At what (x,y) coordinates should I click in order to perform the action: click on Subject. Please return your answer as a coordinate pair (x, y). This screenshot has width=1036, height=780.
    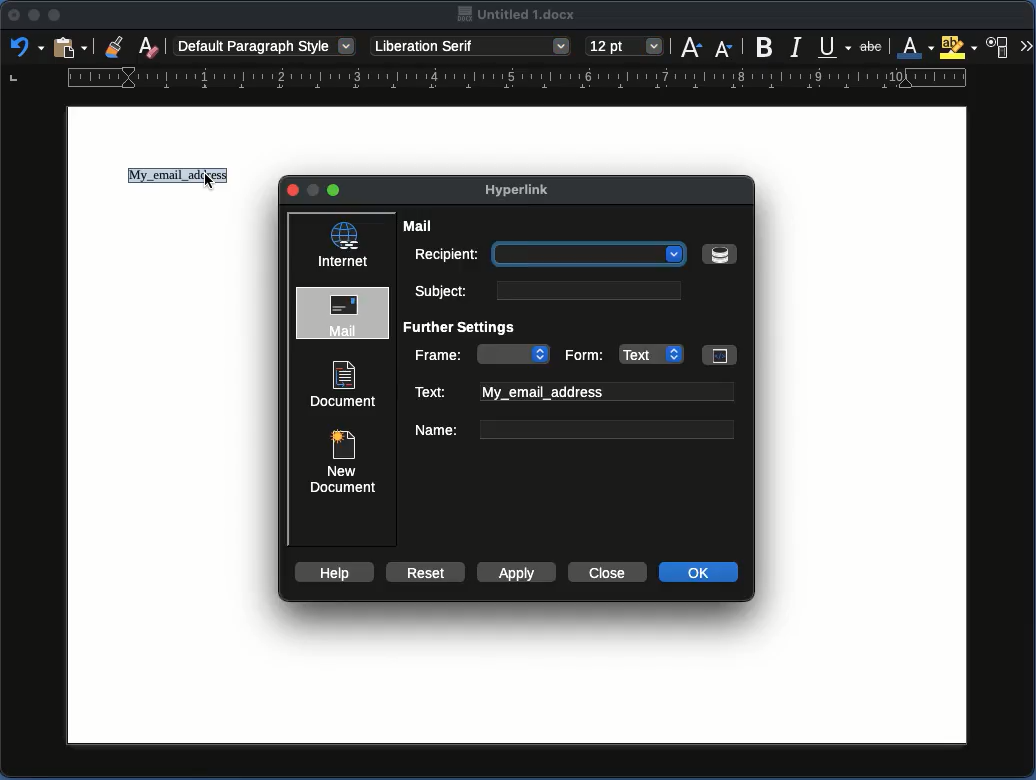
    Looking at the image, I should click on (544, 290).